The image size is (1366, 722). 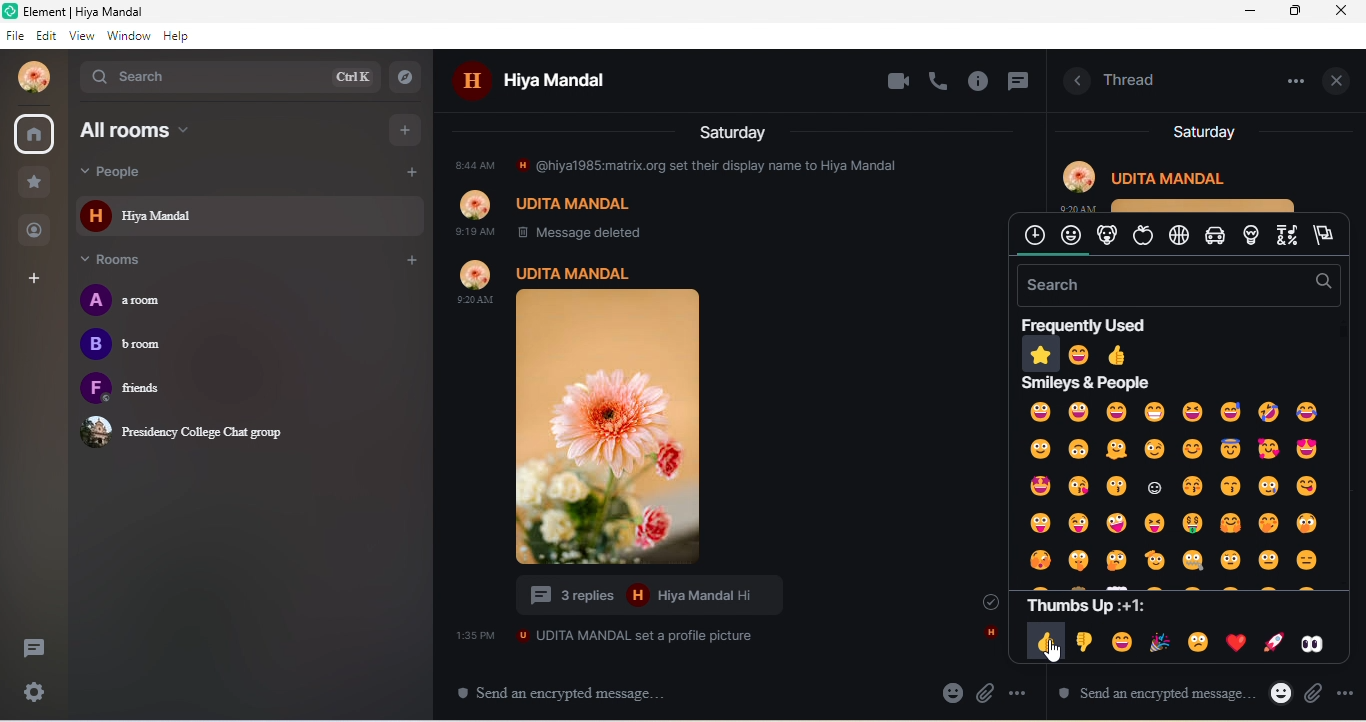 I want to click on title, so click(x=101, y=12).